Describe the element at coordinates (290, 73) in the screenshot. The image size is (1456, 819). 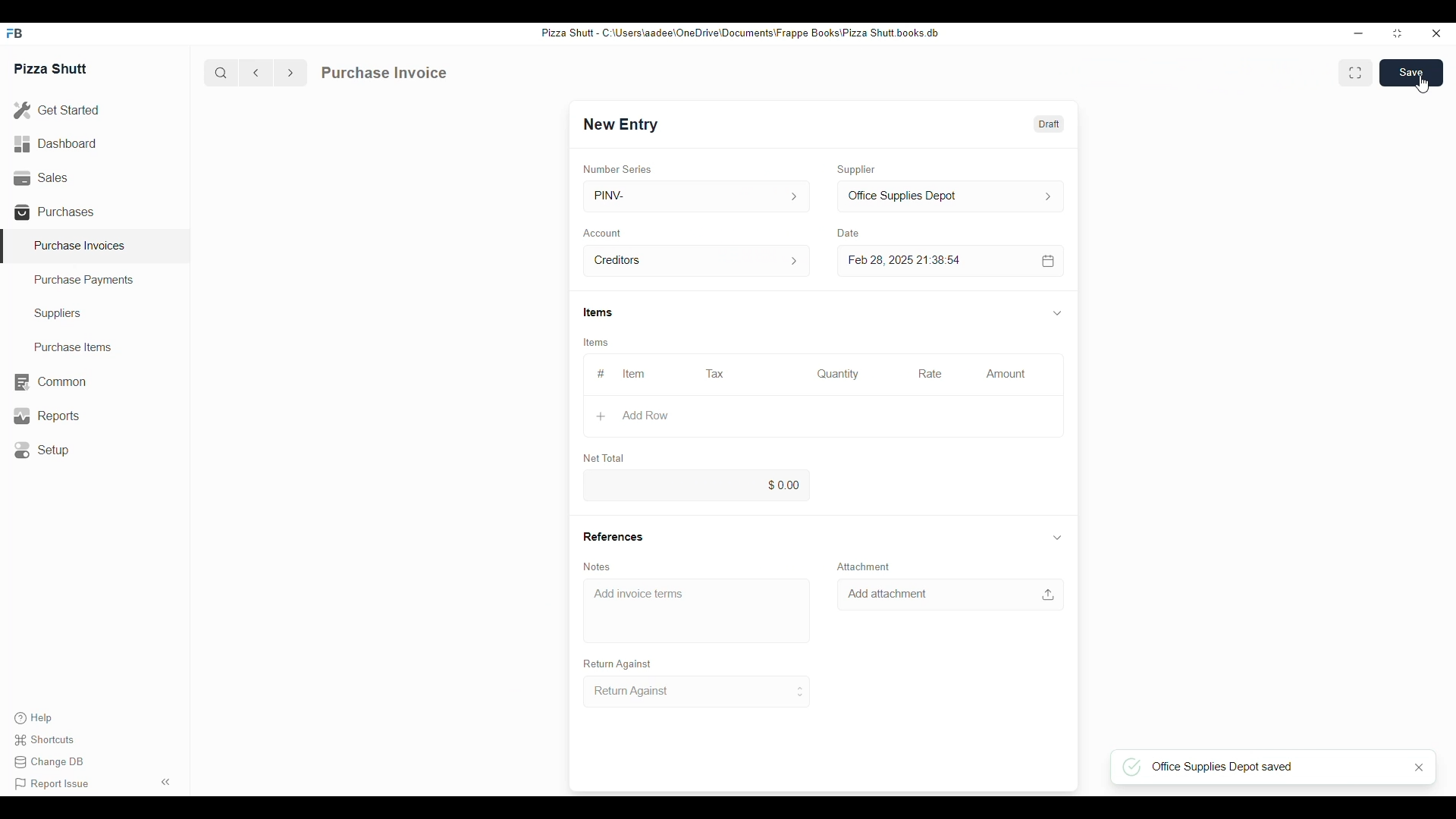
I see `forward` at that location.